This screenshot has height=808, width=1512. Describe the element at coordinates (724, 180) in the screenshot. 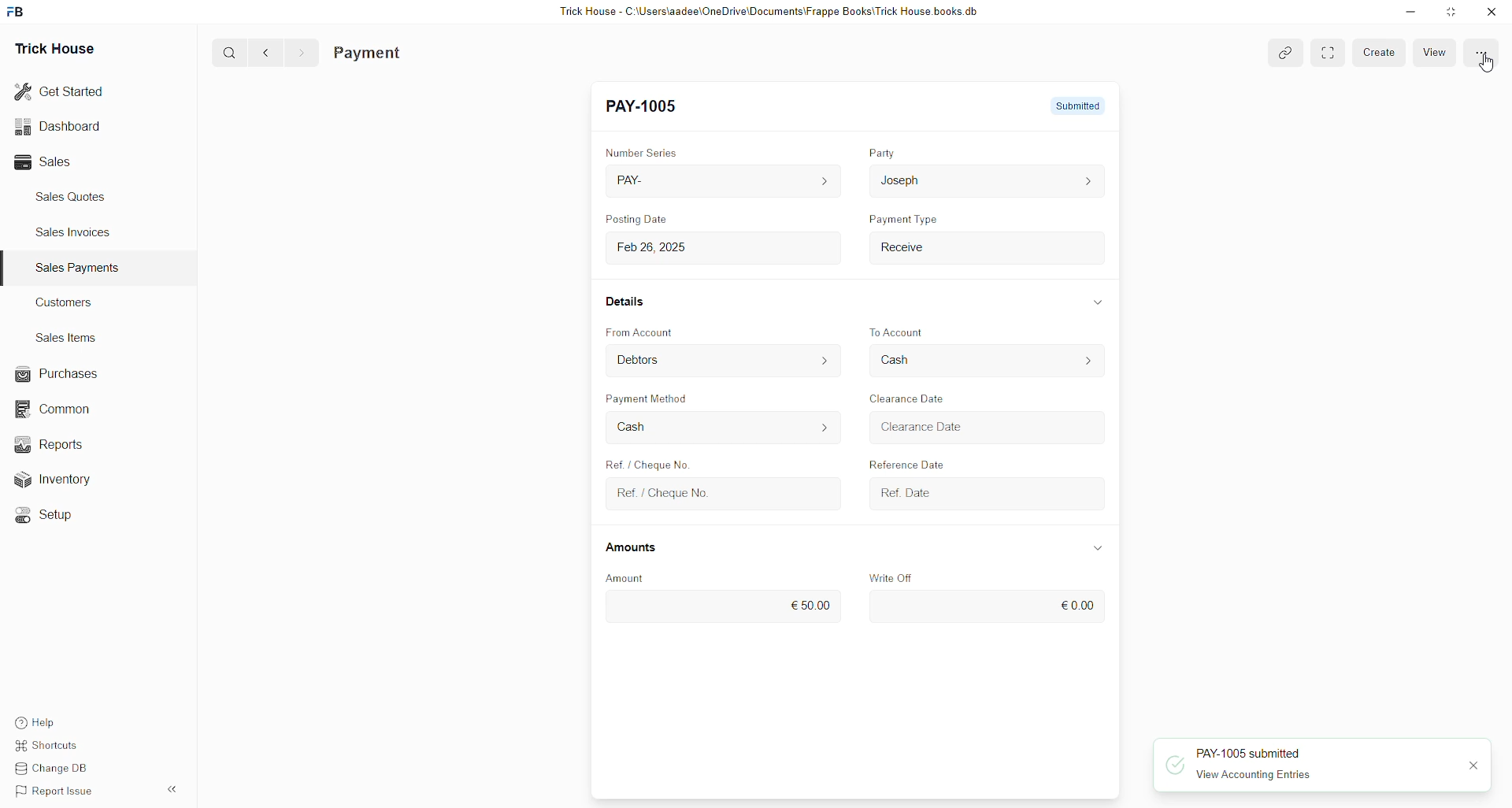

I see `PAY` at that location.